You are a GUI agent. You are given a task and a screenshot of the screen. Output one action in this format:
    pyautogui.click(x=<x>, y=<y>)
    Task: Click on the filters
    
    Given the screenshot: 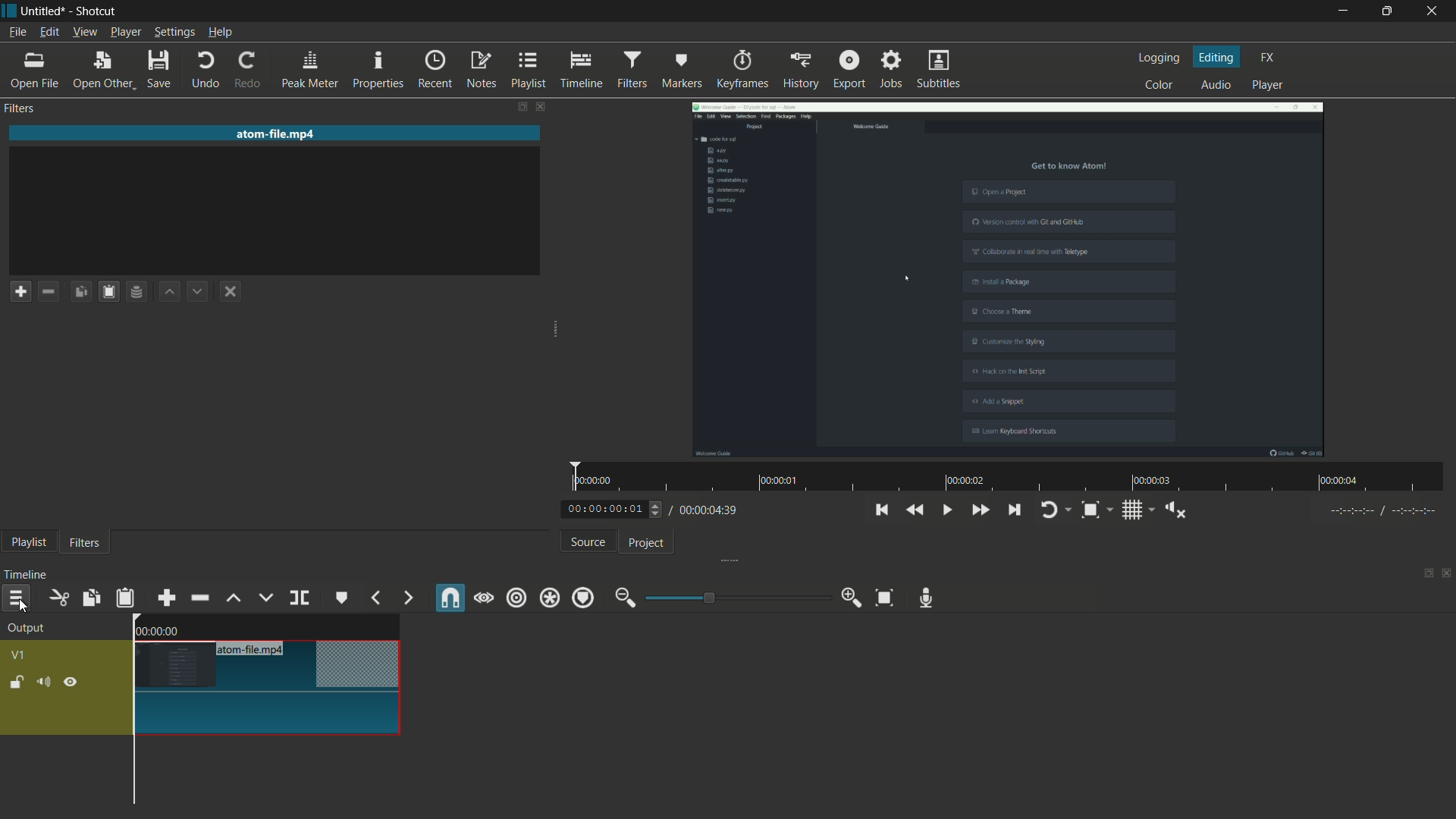 What is the action you would take?
    pyautogui.click(x=85, y=542)
    